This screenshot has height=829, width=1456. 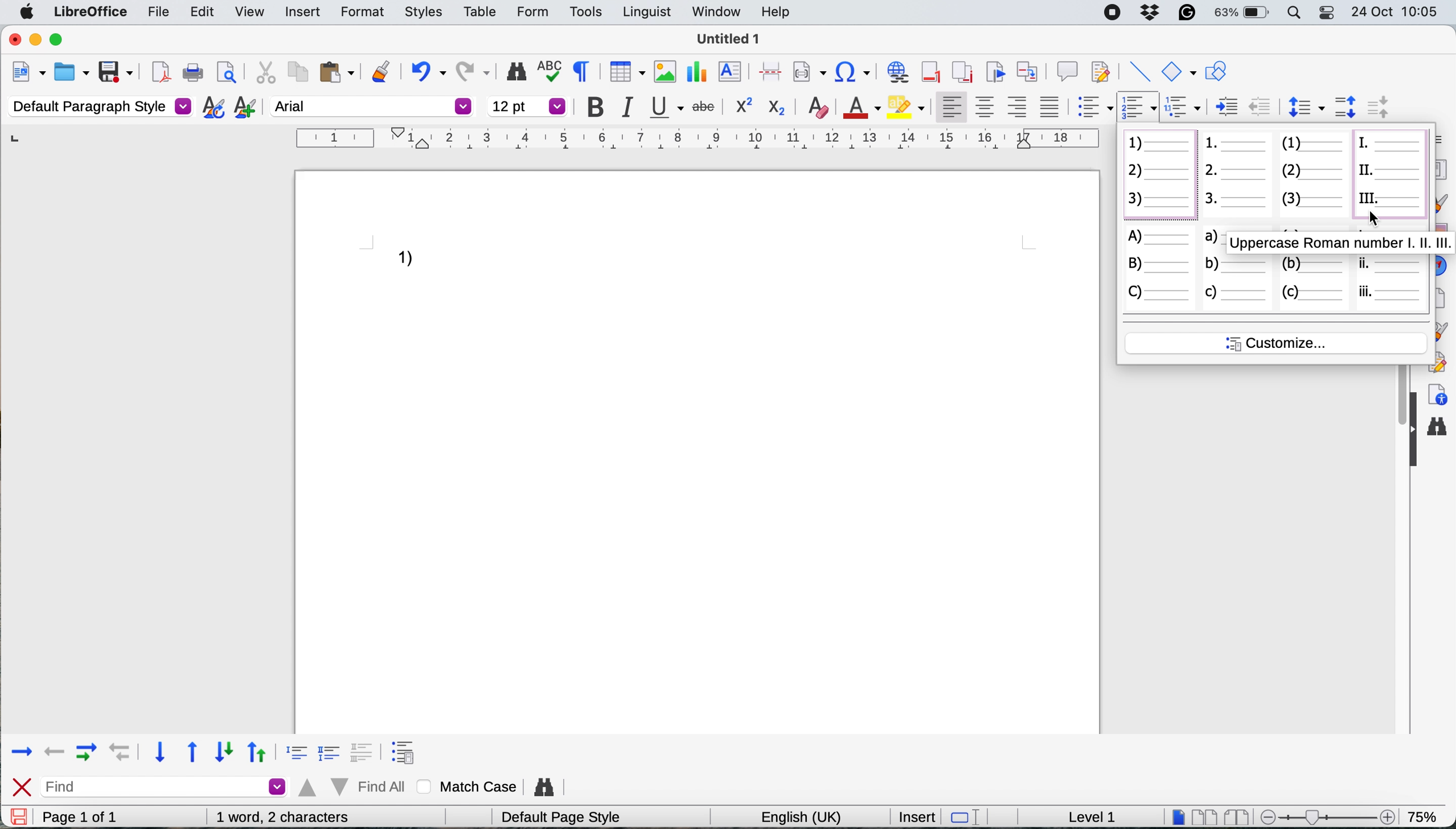 What do you see at coordinates (244, 109) in the screenshot?
I see `add new style` at bounding box center [244, 109].